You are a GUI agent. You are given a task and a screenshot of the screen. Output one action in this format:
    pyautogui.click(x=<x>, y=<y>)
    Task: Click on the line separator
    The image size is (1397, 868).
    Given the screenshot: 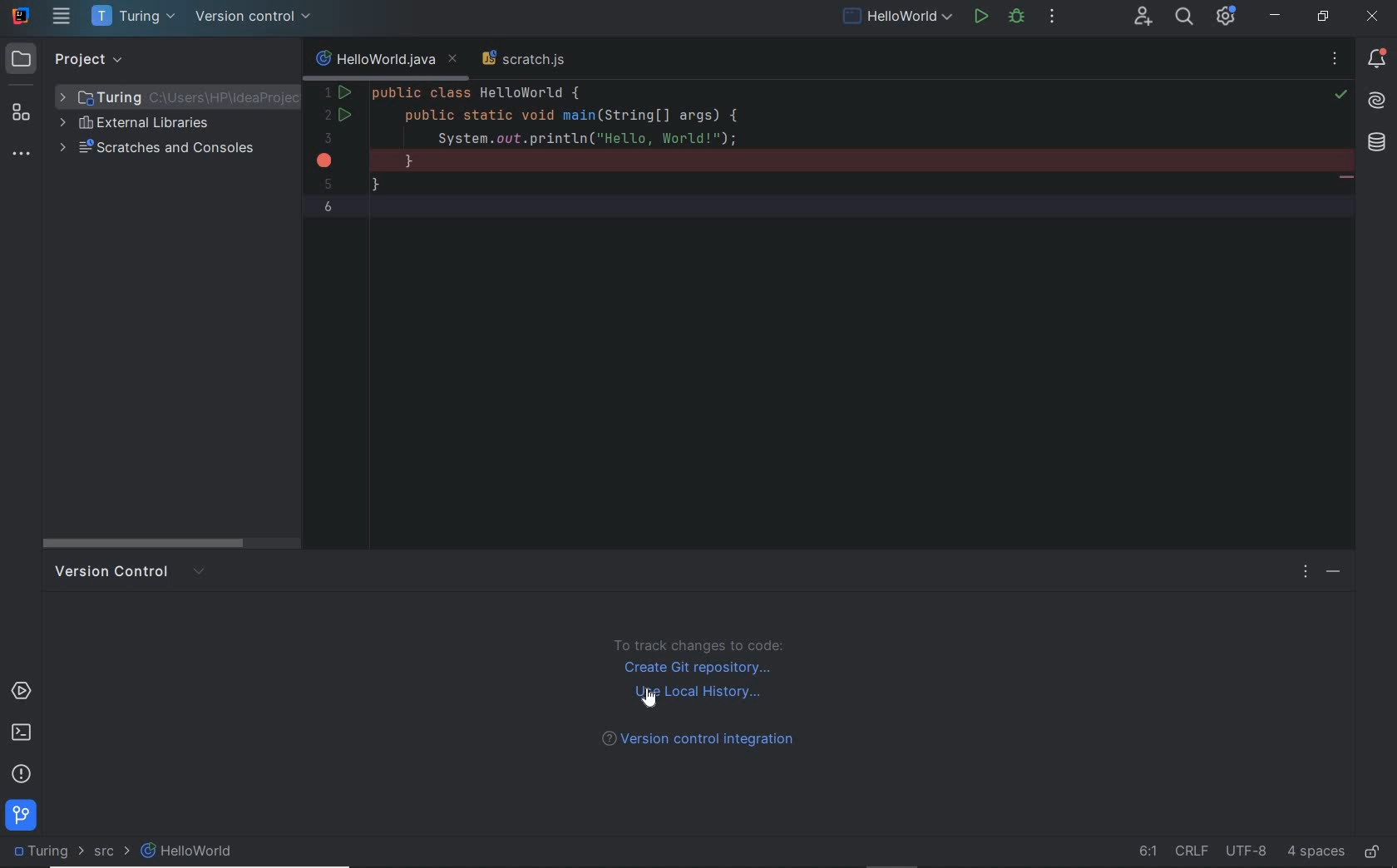 What is the action you would take?
    pyautogui.click(x=1195, y=850)
    